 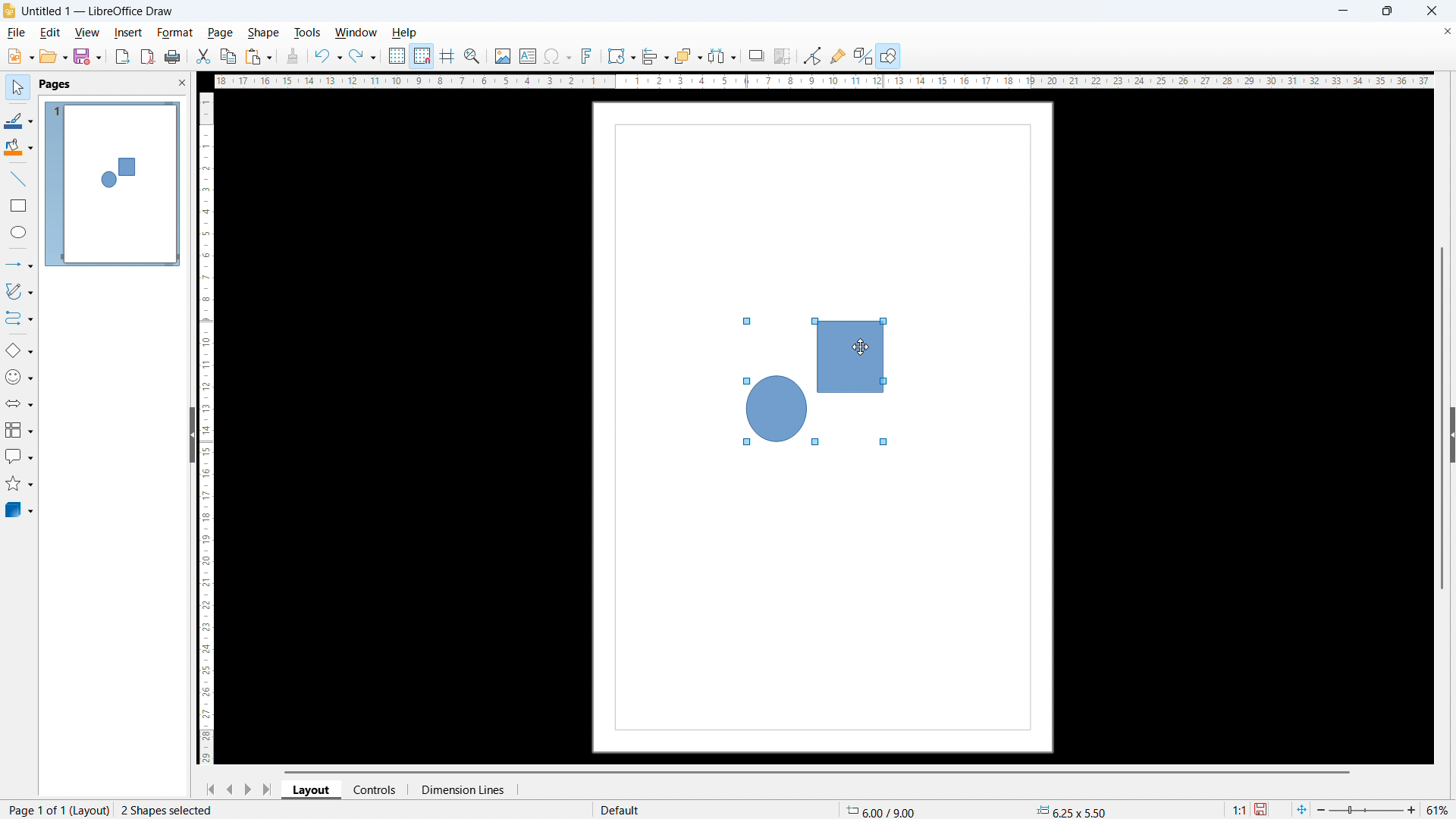 I want to click on horizontal ruler, so click(x=823, y=81).